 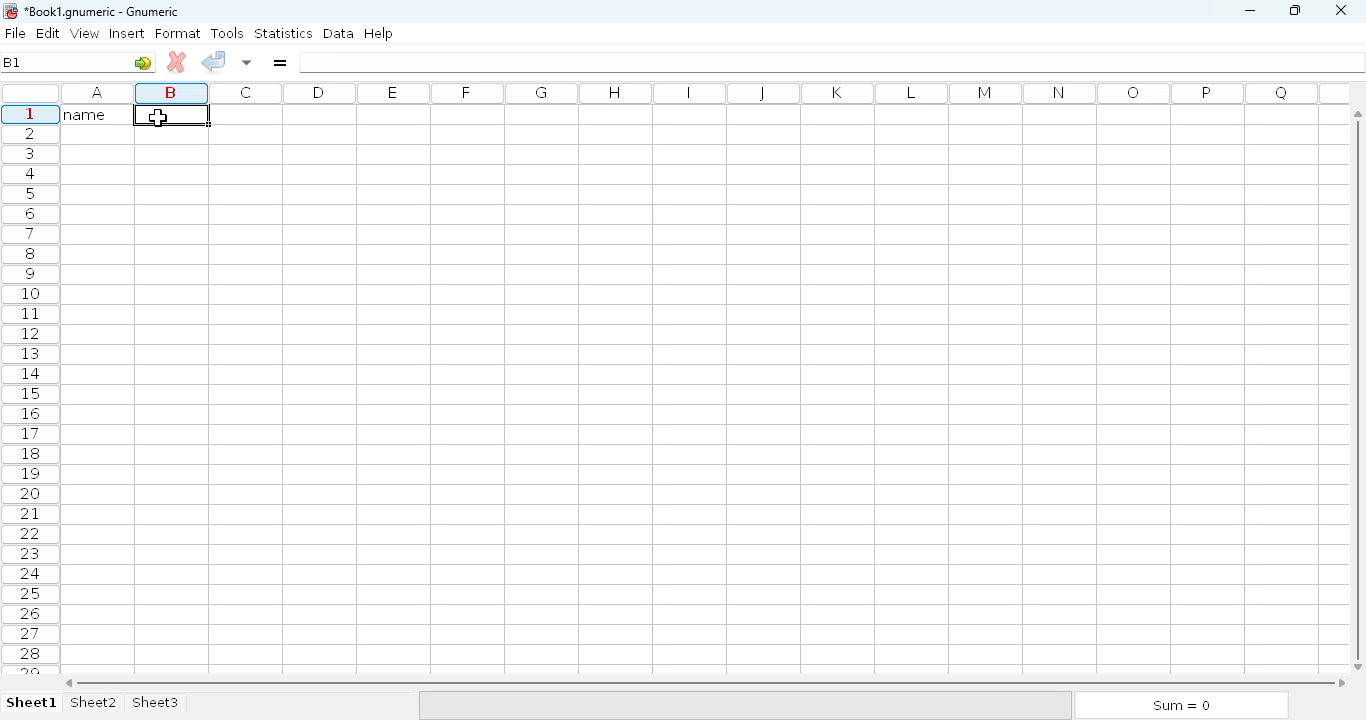 What do you see at coordinates (177, 62) in the screenshot?
I see `cancel change` at bounding box center [177, 62].